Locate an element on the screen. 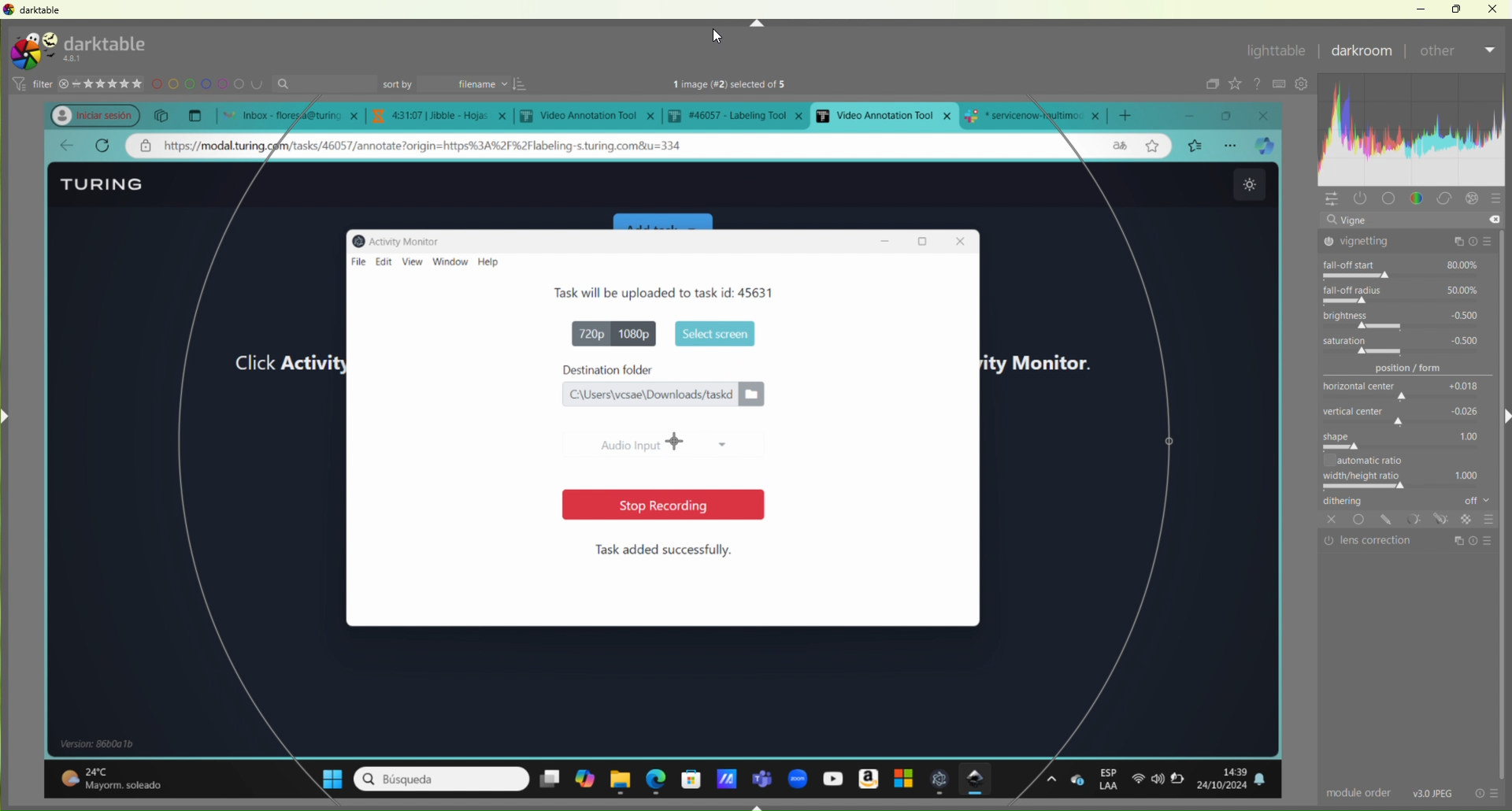 This screenshot has height=811, width=1512. destination folder is located at coordinates (664, 369).